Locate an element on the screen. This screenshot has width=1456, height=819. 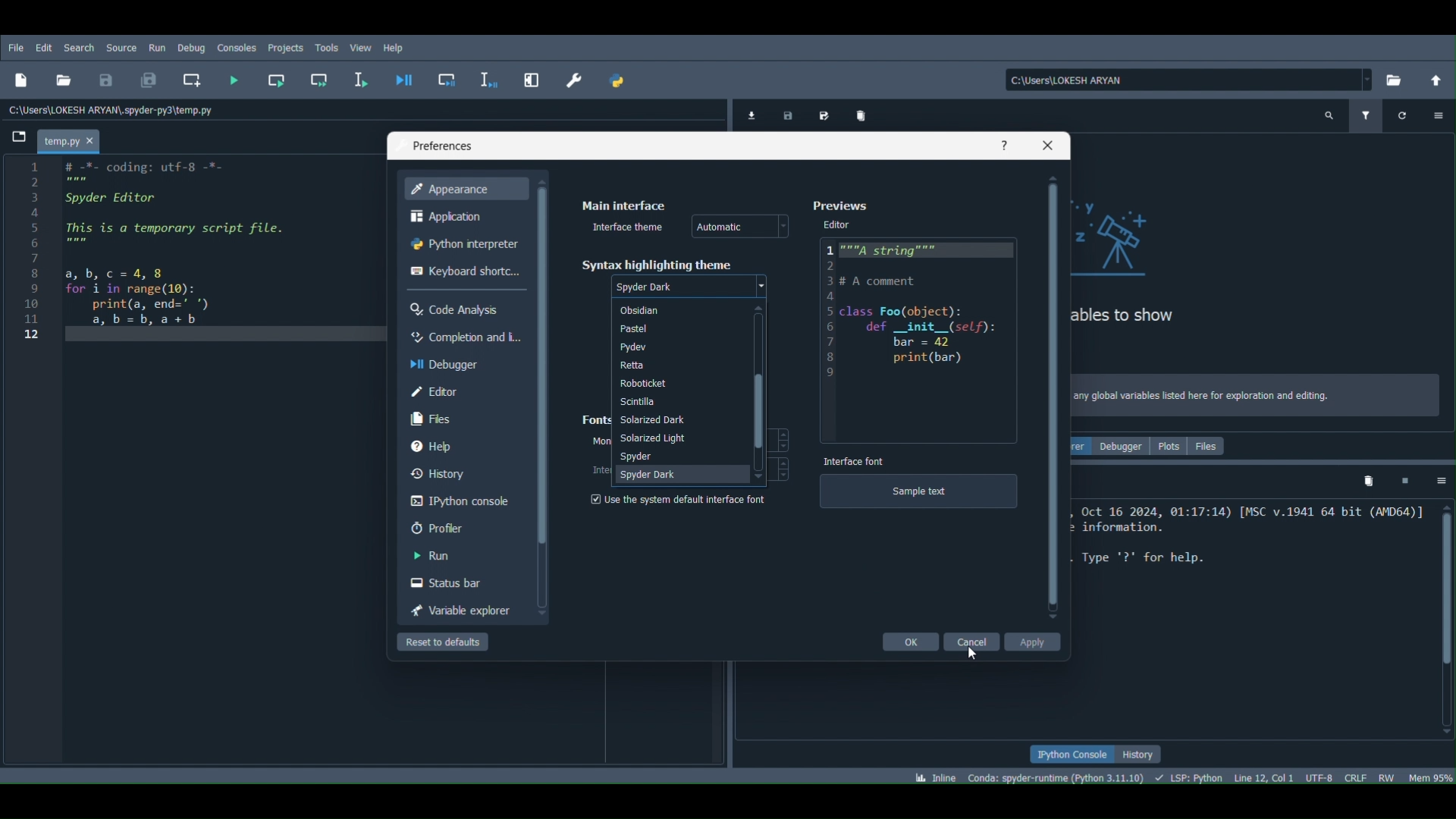
Profiler is located at coordinates (466, 526).